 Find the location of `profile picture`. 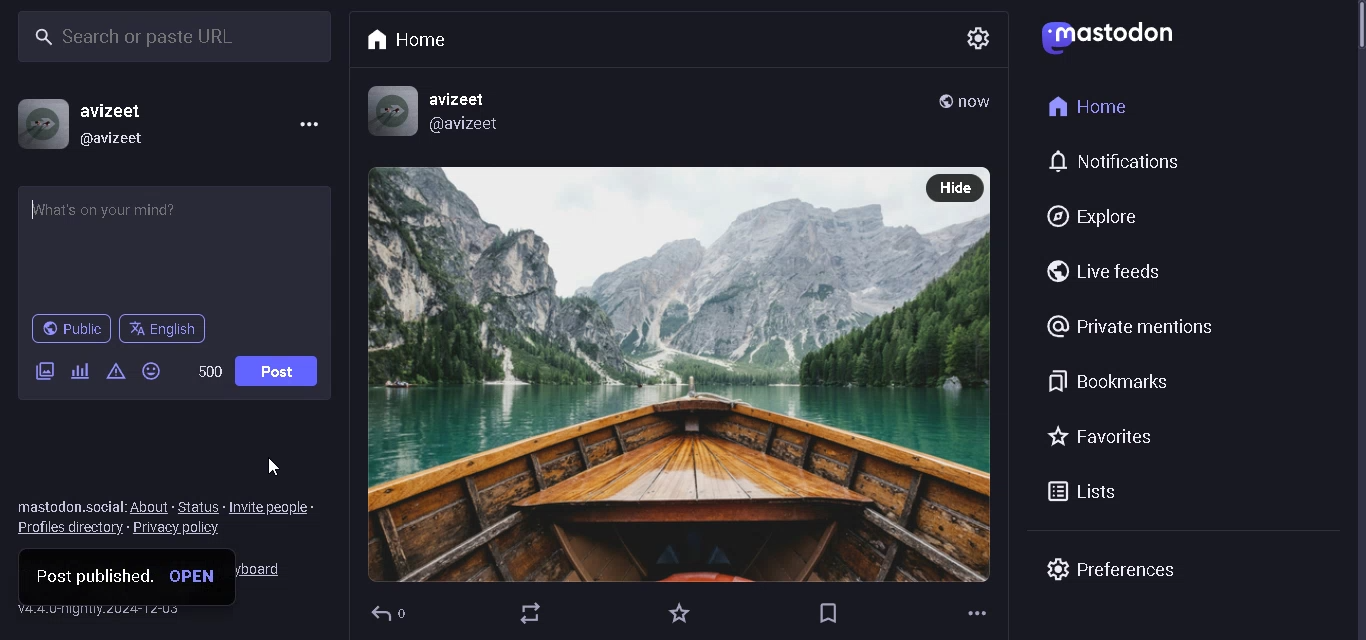

profile picture is located at coordinates (36, 124).